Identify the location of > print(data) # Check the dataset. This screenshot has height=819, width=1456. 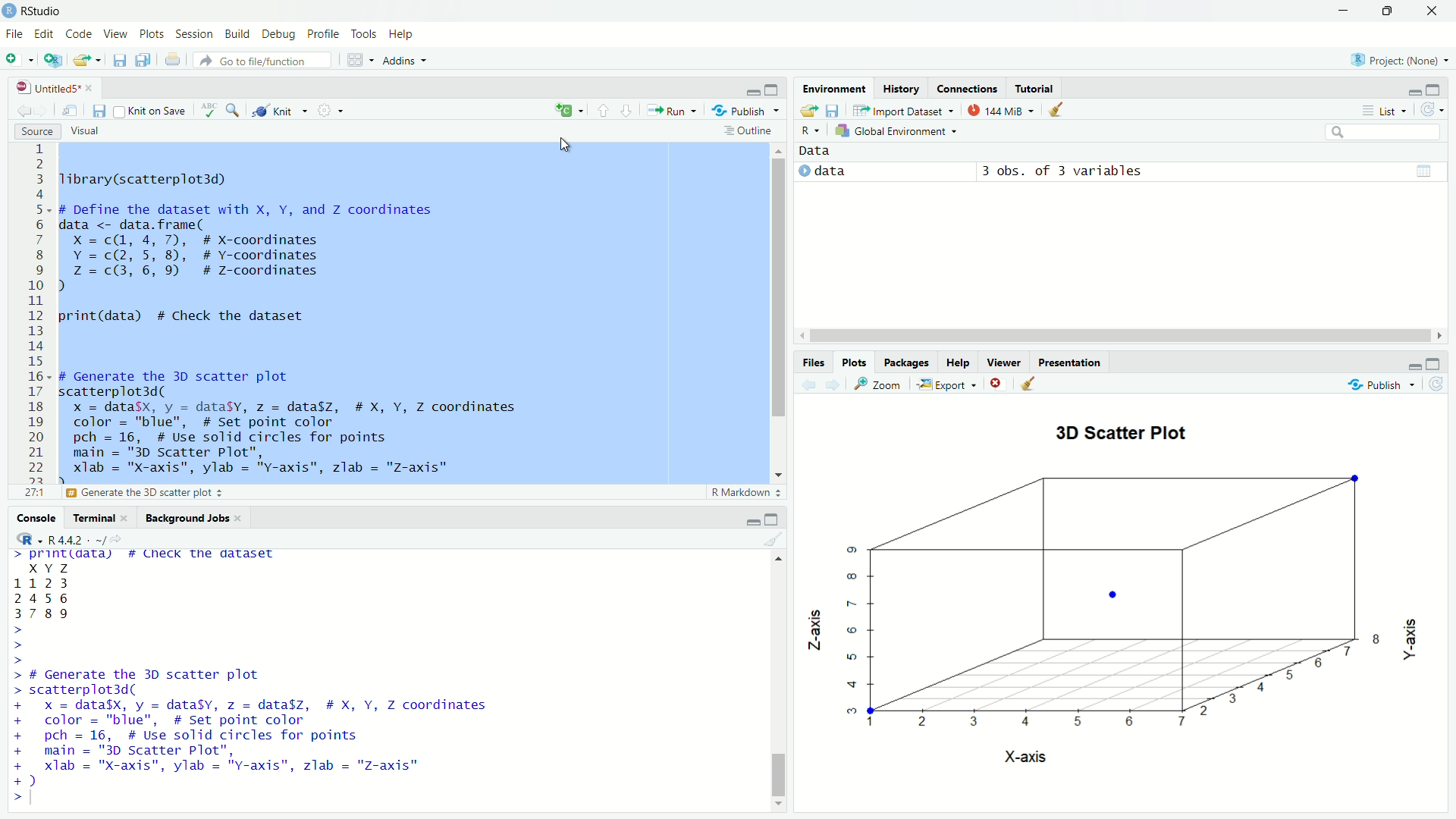
(146, 556).